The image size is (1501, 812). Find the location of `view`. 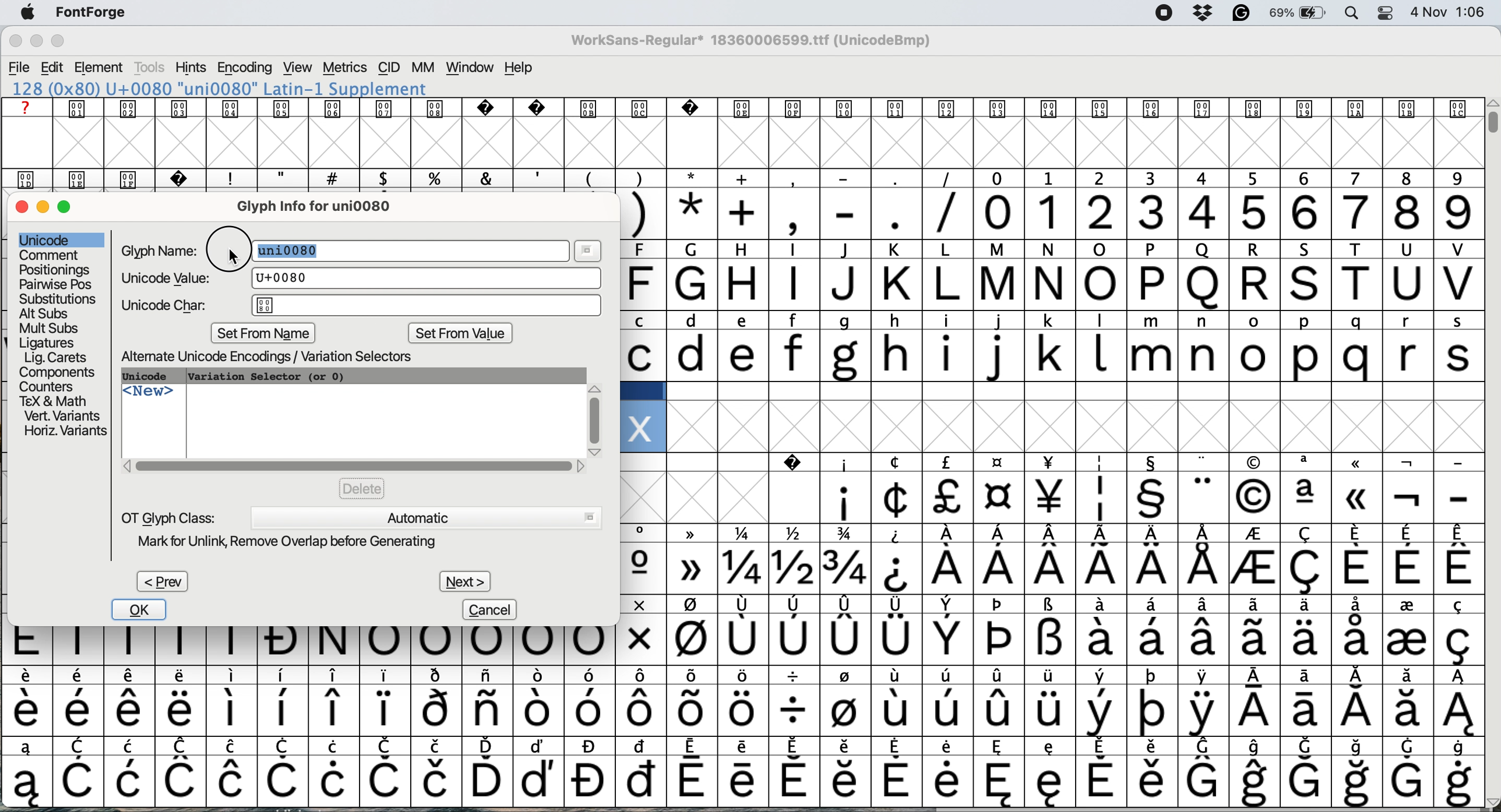

view is located at coordinates (295, 68).